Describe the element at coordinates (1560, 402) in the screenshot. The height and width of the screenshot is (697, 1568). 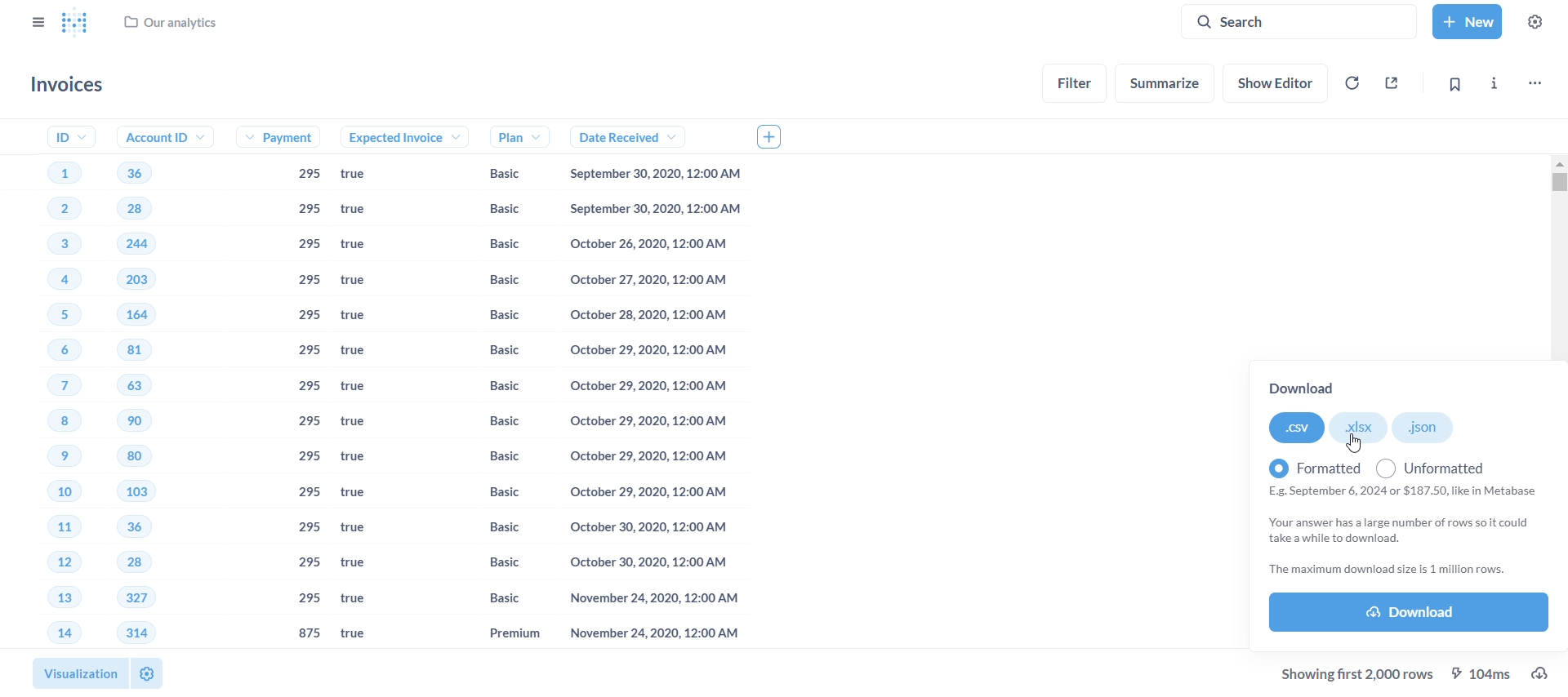
I see `vertical scroll bar` at that location.